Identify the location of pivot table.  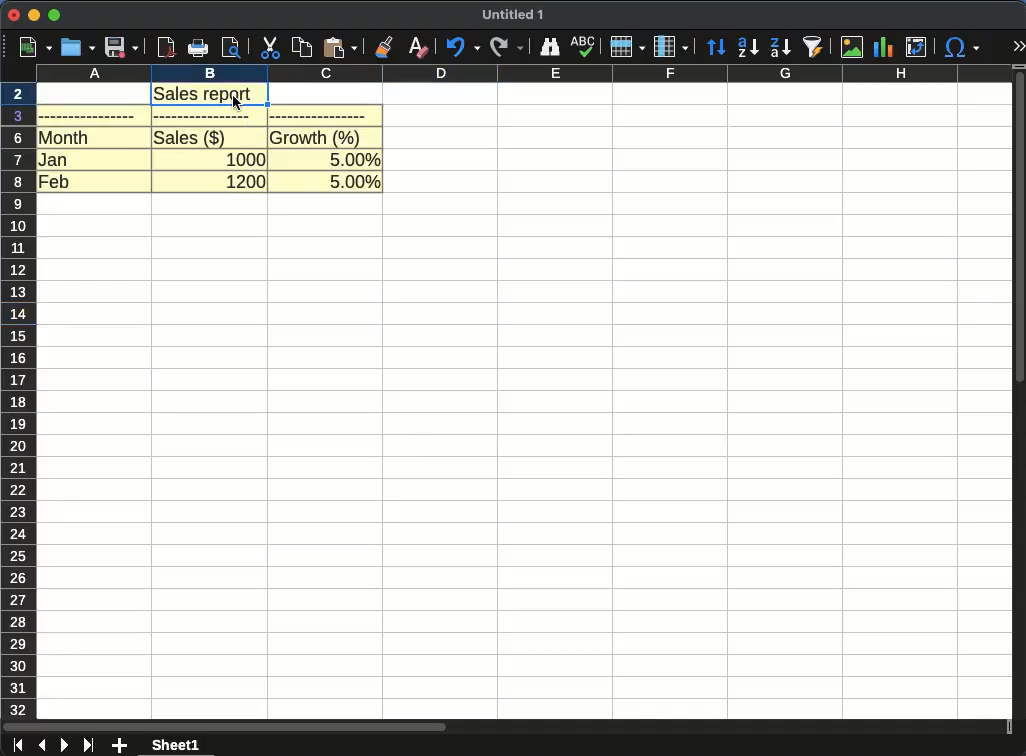
(914, 48).